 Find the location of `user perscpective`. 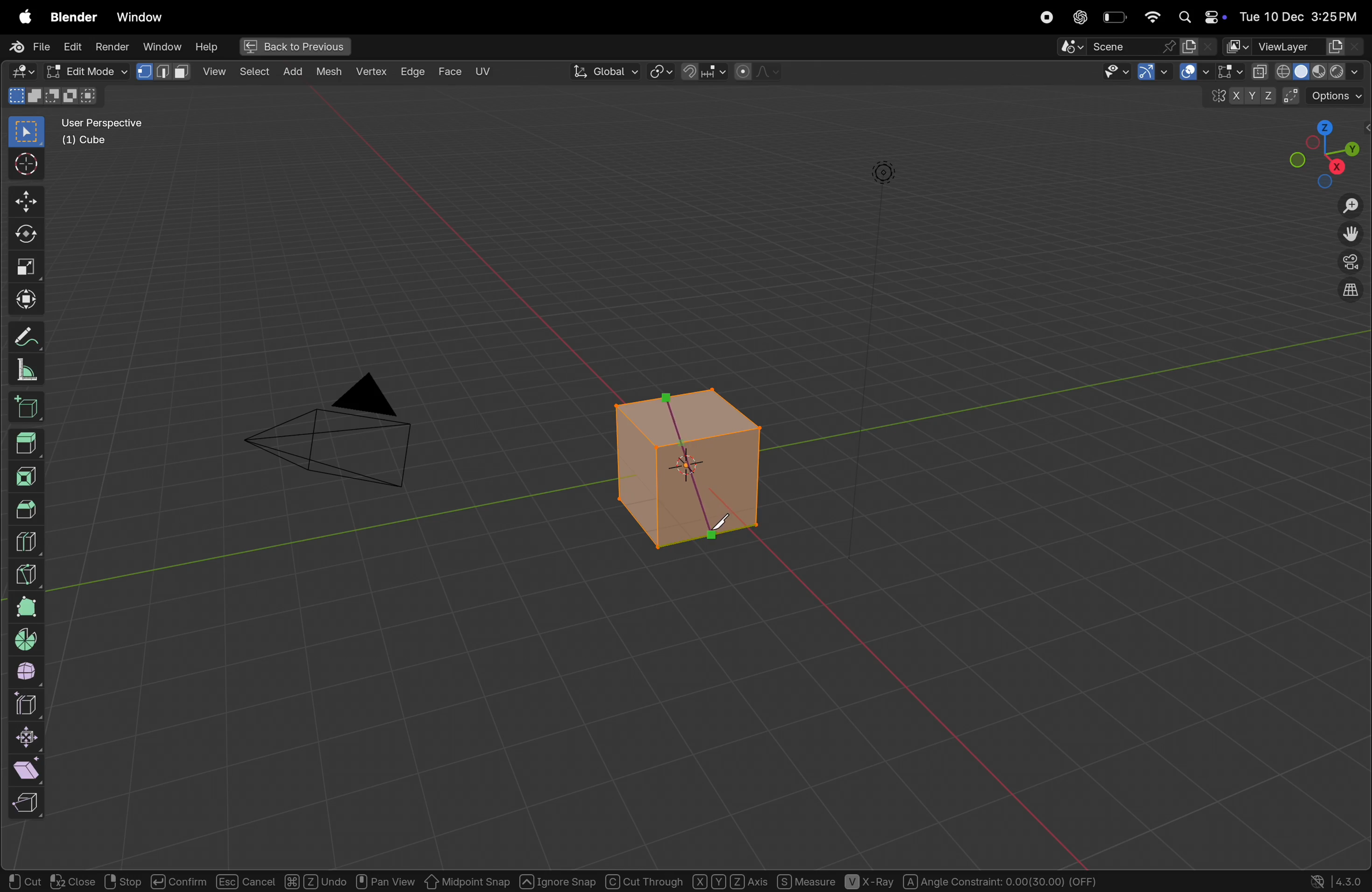

user perscpective is located at coordinates (110, 131).